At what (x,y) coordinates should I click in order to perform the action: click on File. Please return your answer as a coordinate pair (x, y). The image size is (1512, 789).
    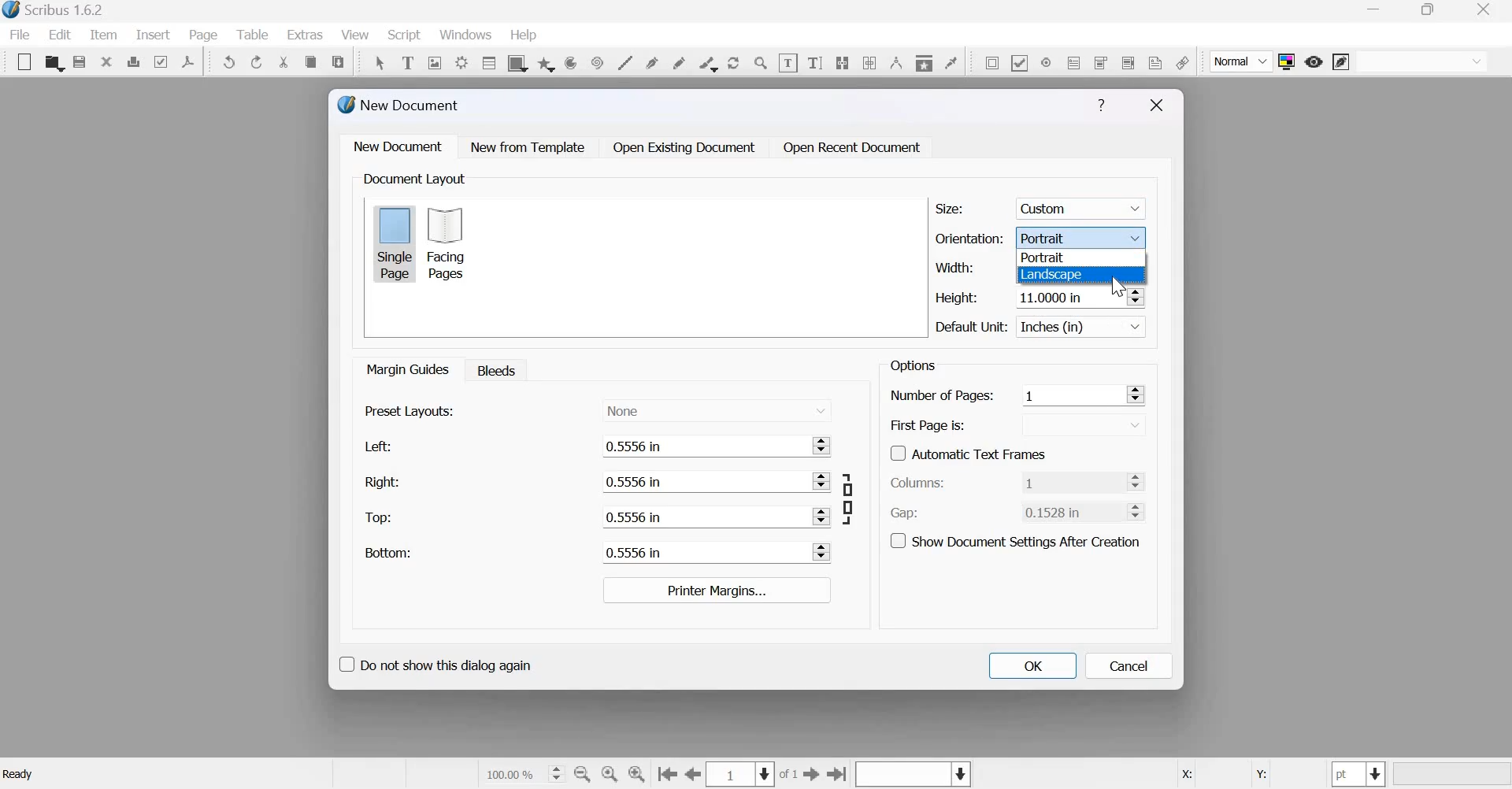
    Looking at the image, I should click on (24, 35).